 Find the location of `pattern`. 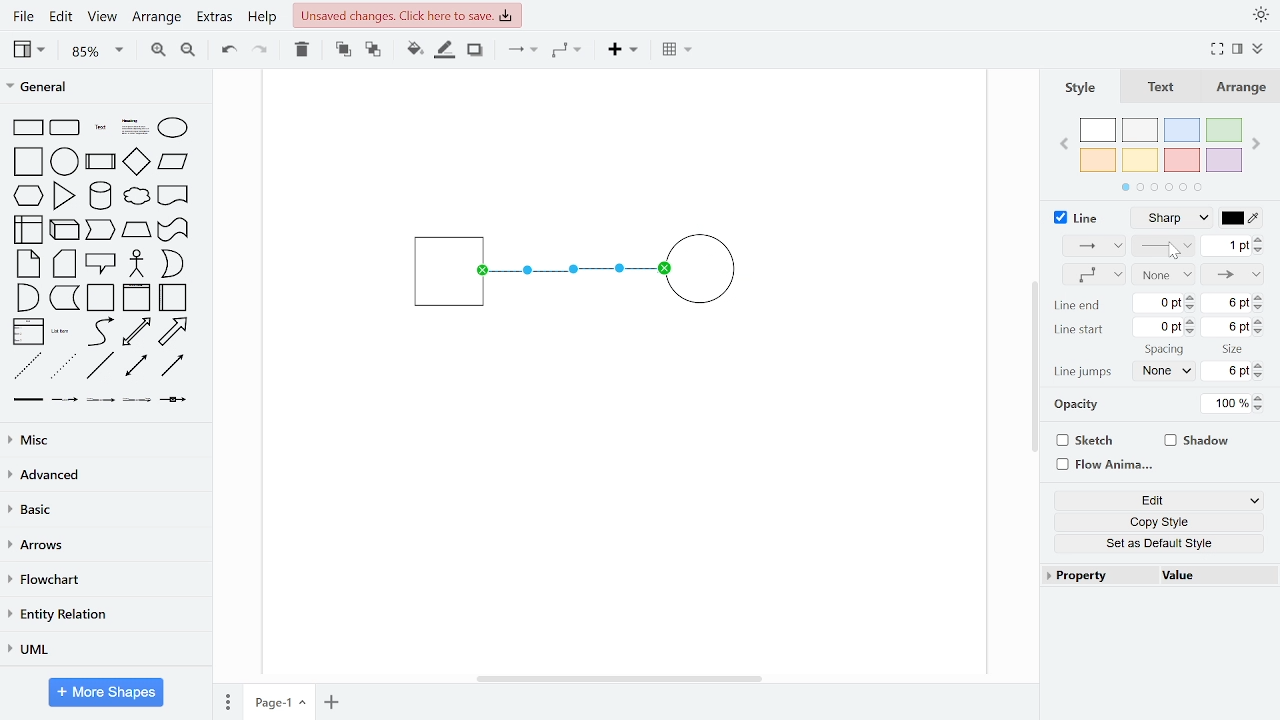

pattern is located at coordinates (1163, 247).